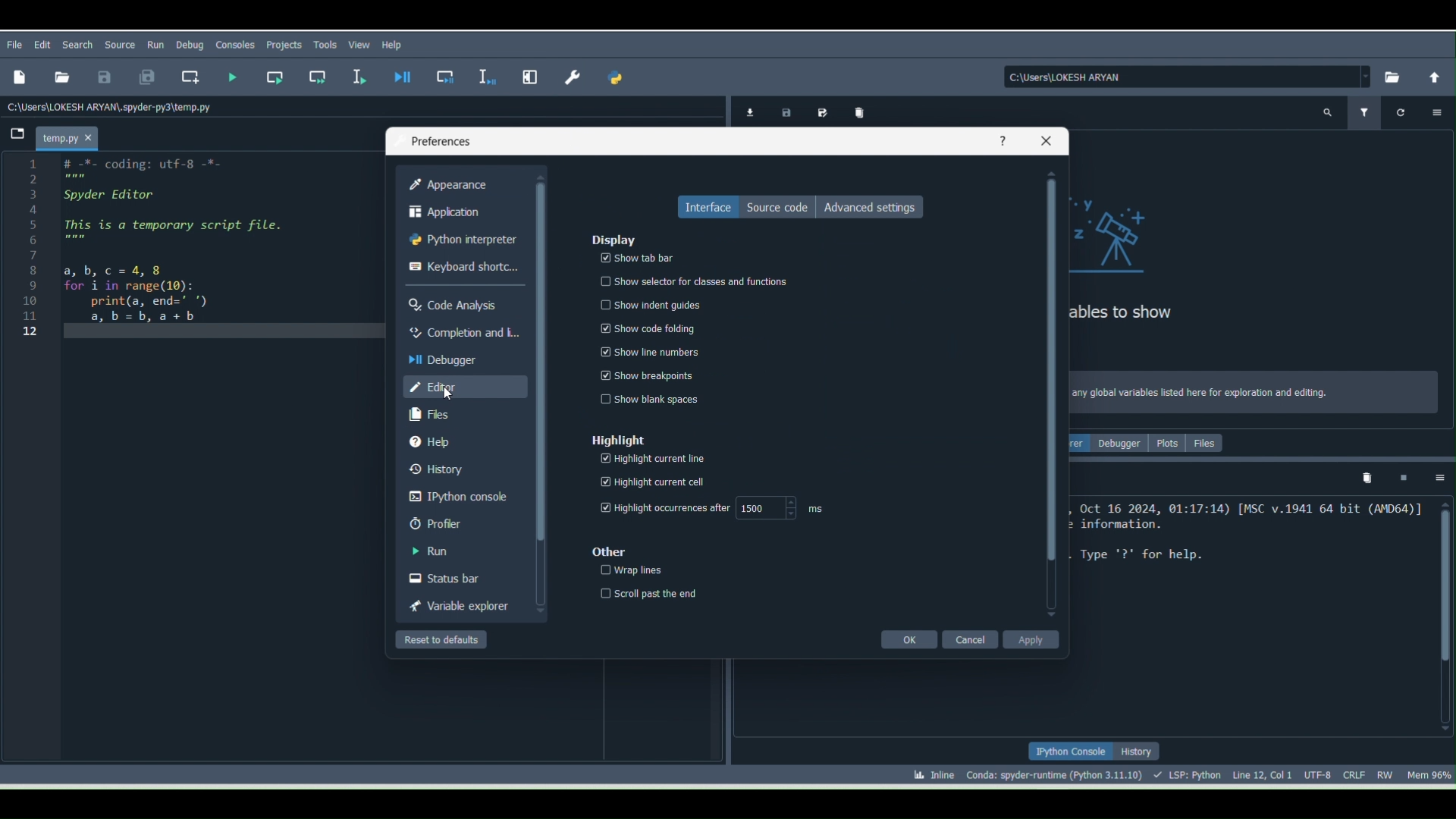 This screenshot has width=1456, height=819. Describe the element at coordinates (1057, 773) in the screenshot. I see `Version` at that location.